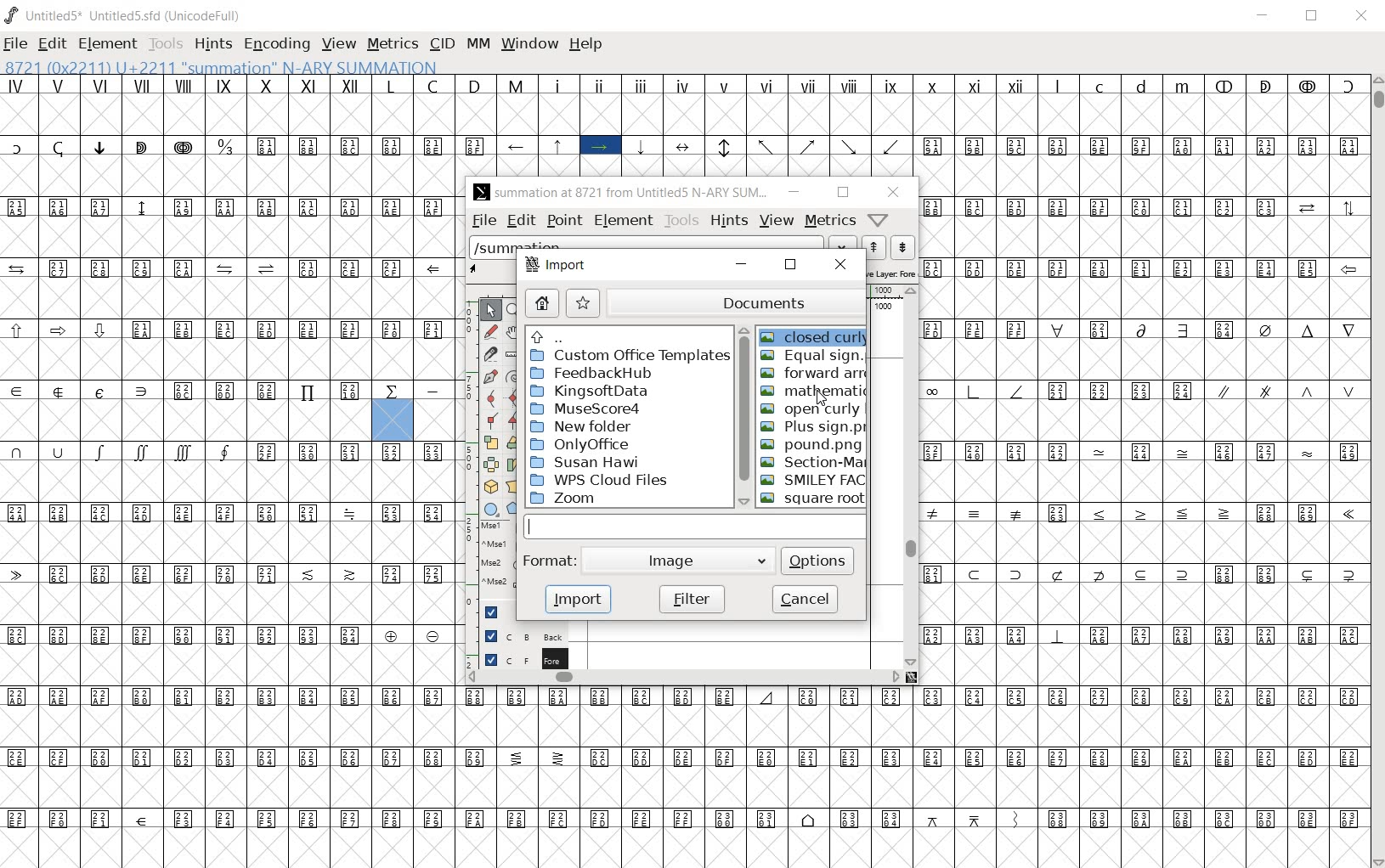 The height and width of the screenshot is (868, 1385). What do you see at coordinates (490, 309) in the screenshot?
I see `POINTER` at bounding box center [490, 309].